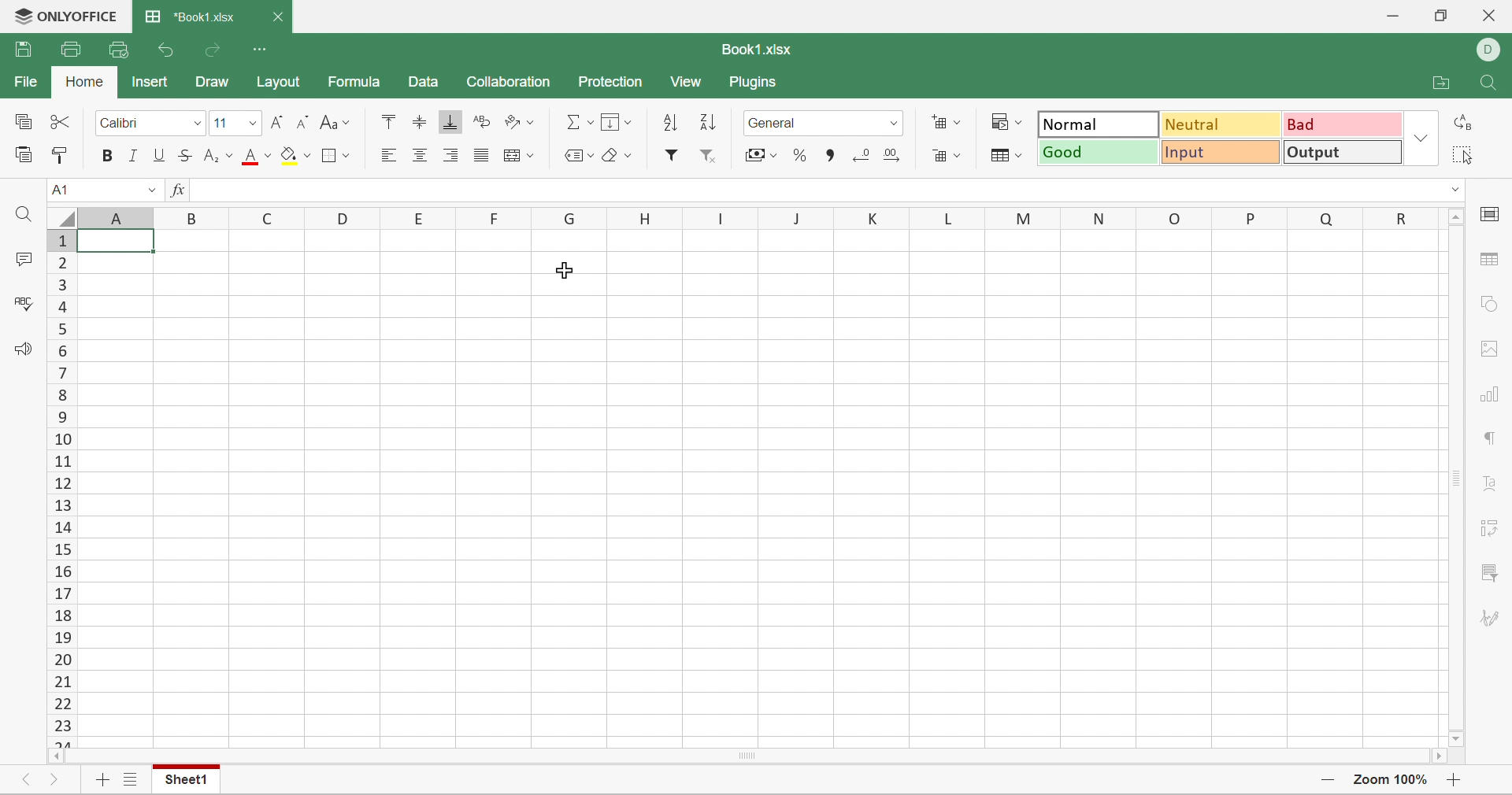 The height and width of the screenshot is (795, 1512). I want to click on Scroll down, so click(1456, 741).